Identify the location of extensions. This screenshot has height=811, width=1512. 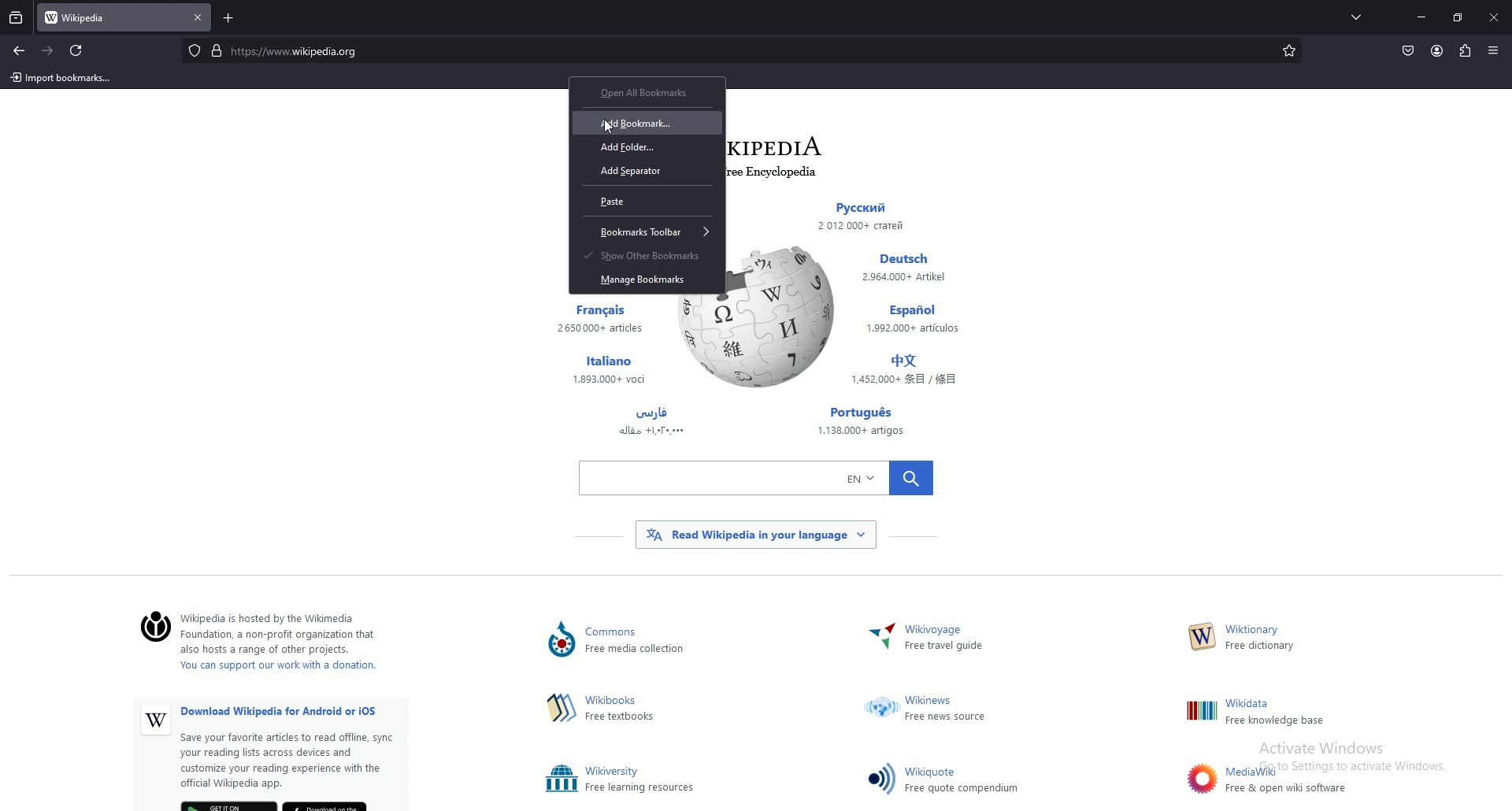
(1464, 52).